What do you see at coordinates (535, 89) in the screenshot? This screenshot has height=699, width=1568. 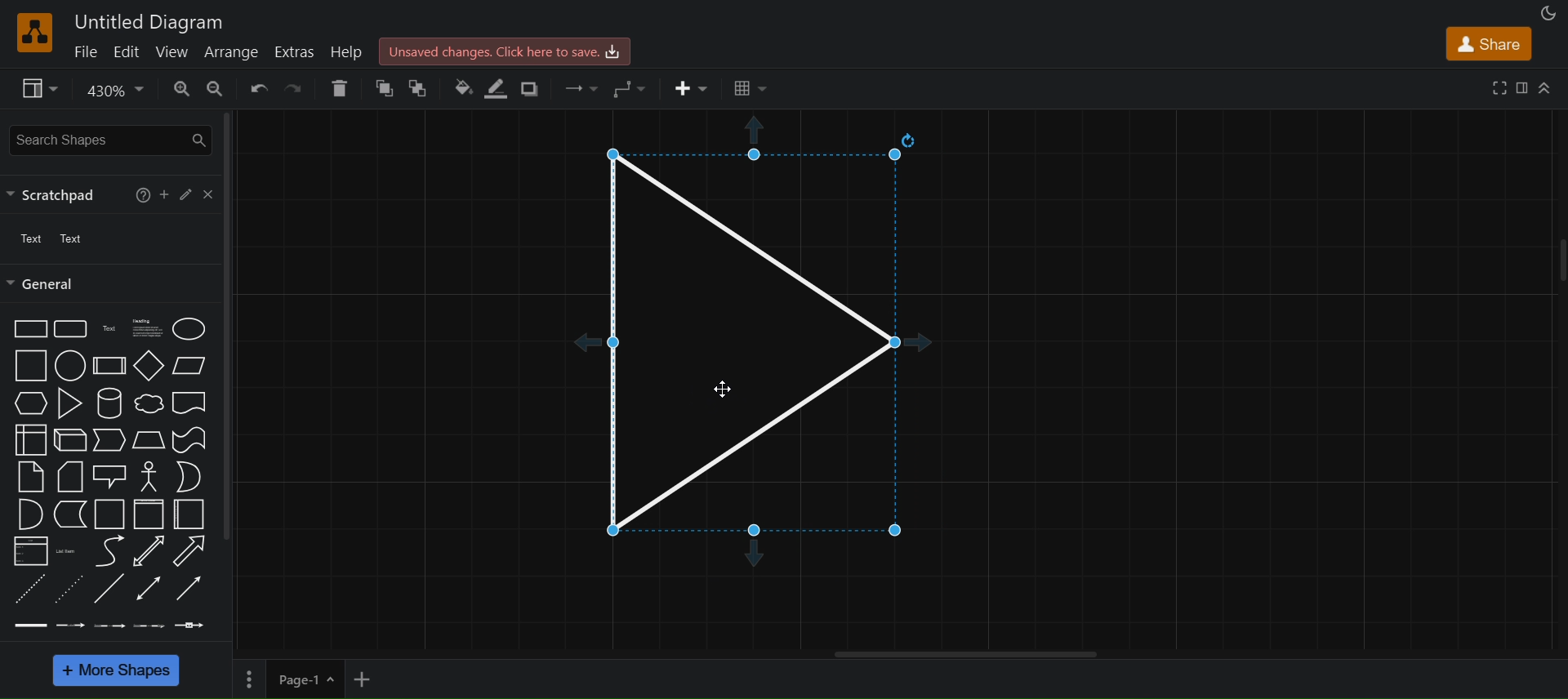 I see `shadow` at bounding box center [535, 89].